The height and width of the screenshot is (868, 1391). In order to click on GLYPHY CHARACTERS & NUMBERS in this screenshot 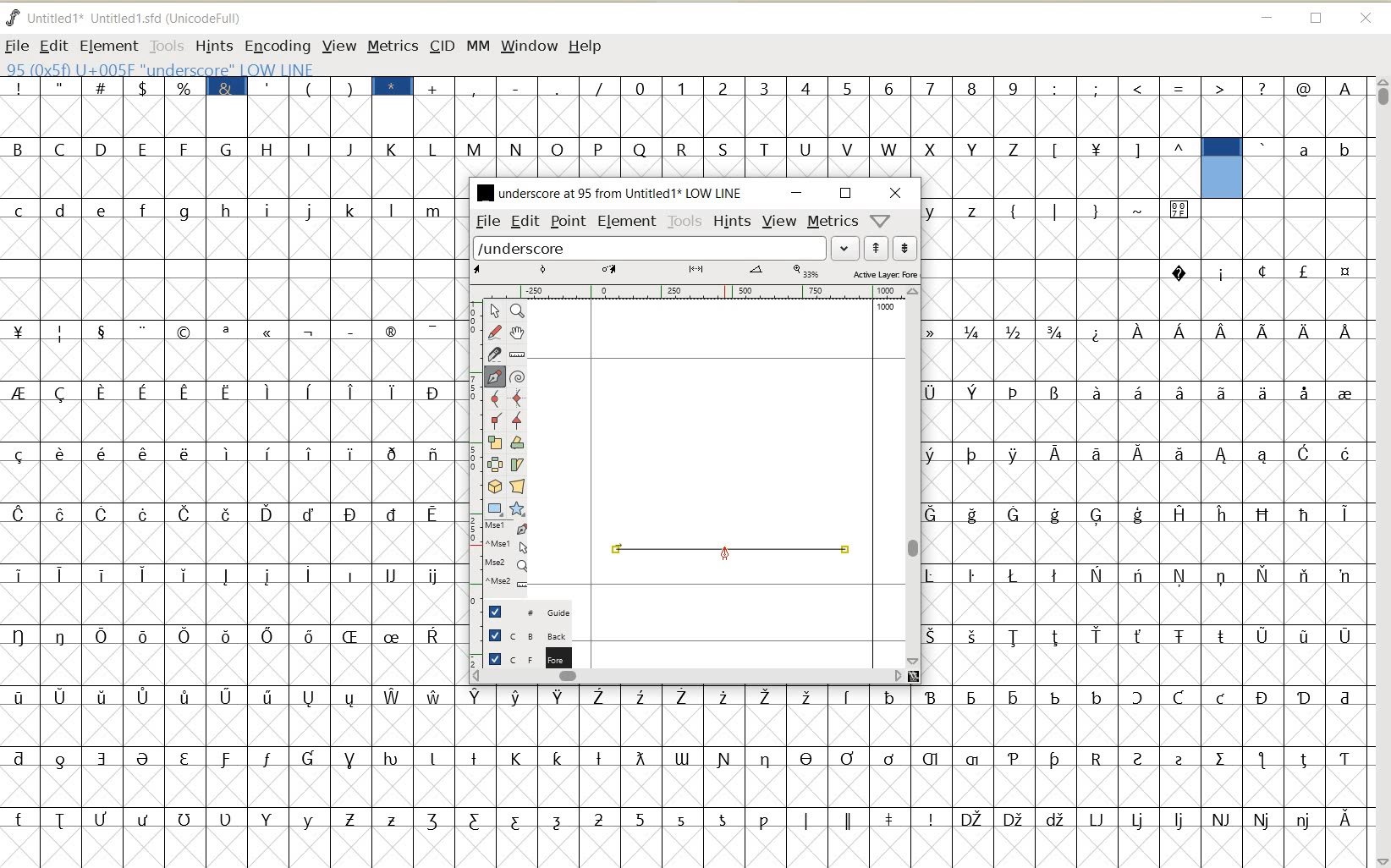, I will do `click(688, 767)`.